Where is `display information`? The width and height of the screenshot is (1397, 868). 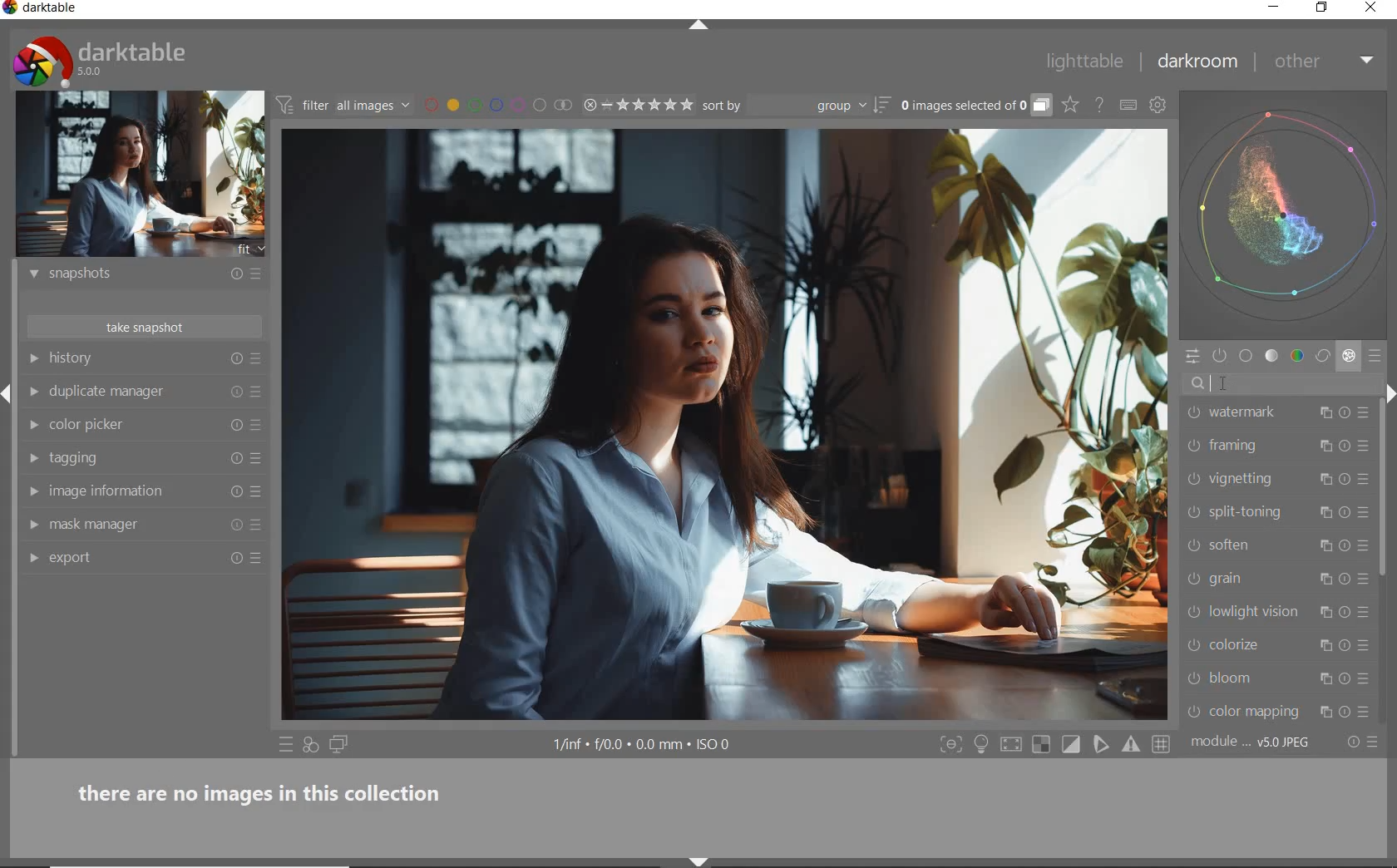
display information is located at coordinates (644, 746).